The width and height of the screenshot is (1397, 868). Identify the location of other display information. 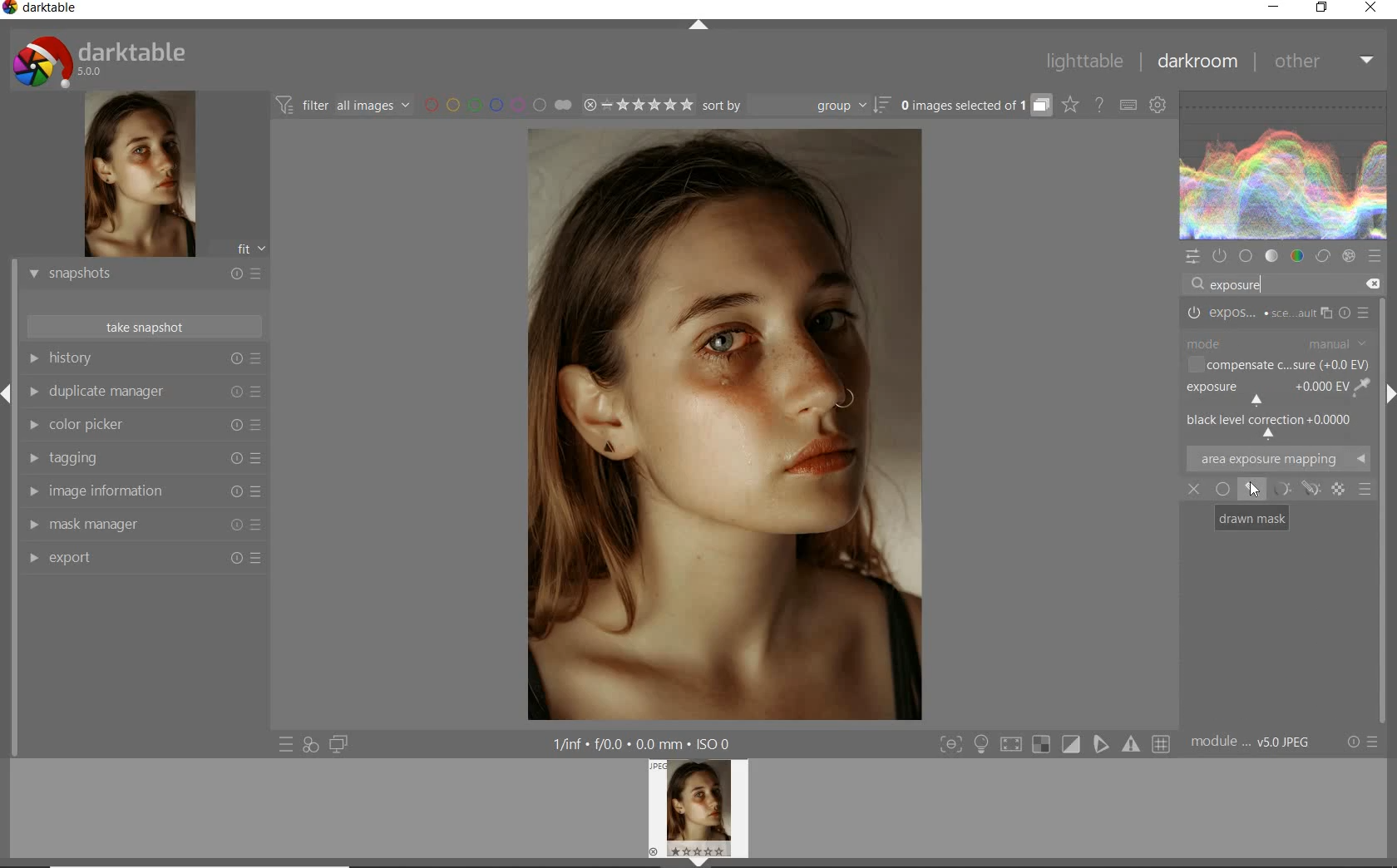
(644, 743).